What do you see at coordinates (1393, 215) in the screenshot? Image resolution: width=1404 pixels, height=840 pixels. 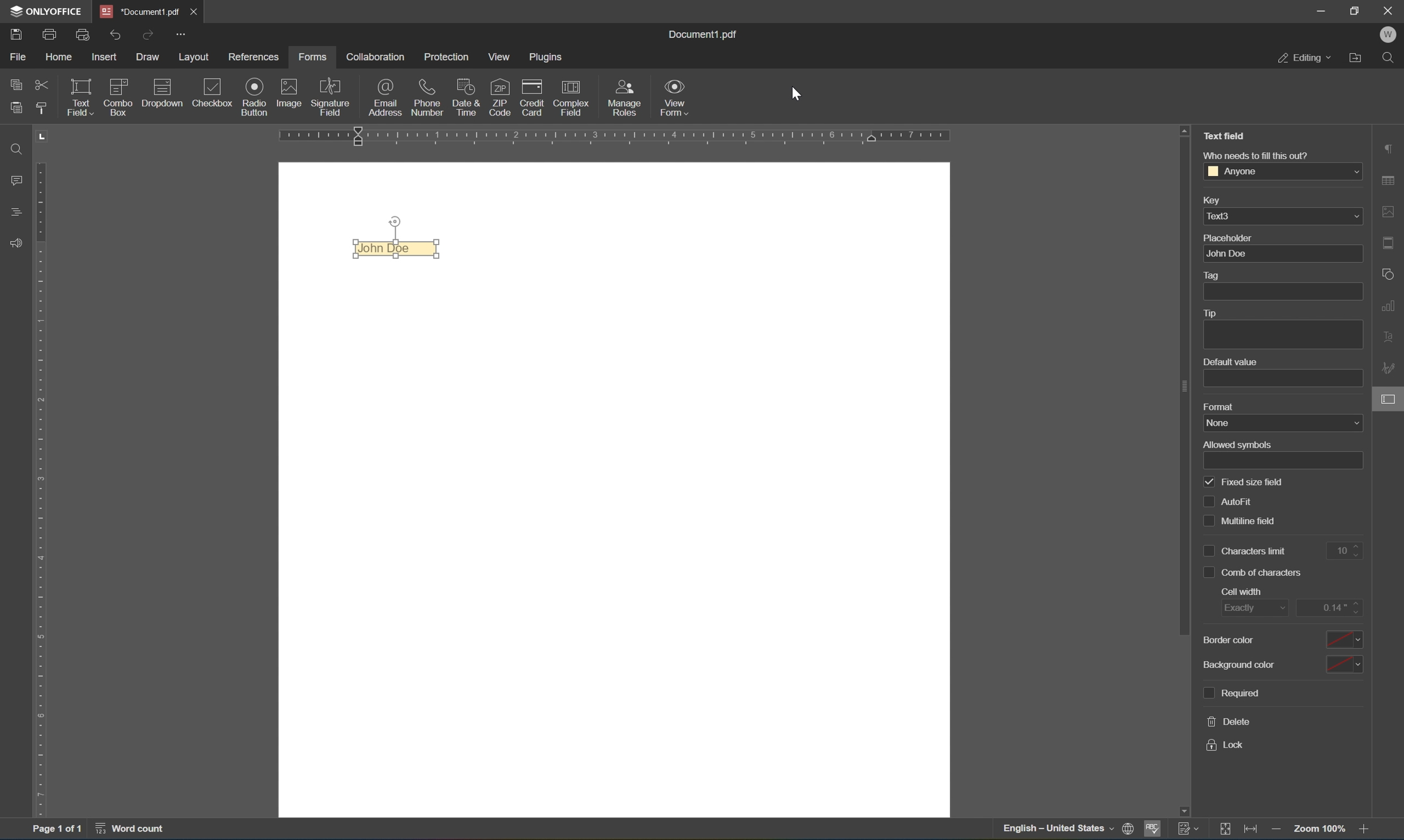 I see `image settings` at bounding box center [1393, 215].